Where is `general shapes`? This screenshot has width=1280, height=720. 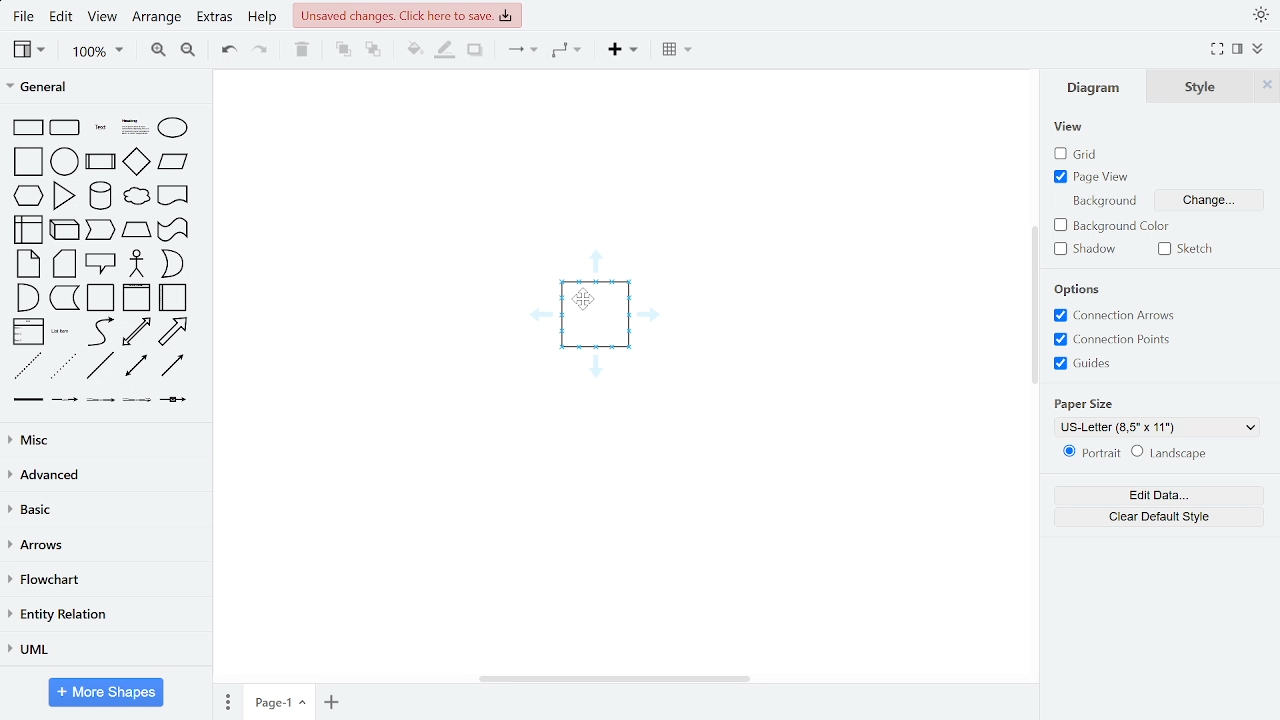 general shapes is located at coordinates (171, 365).